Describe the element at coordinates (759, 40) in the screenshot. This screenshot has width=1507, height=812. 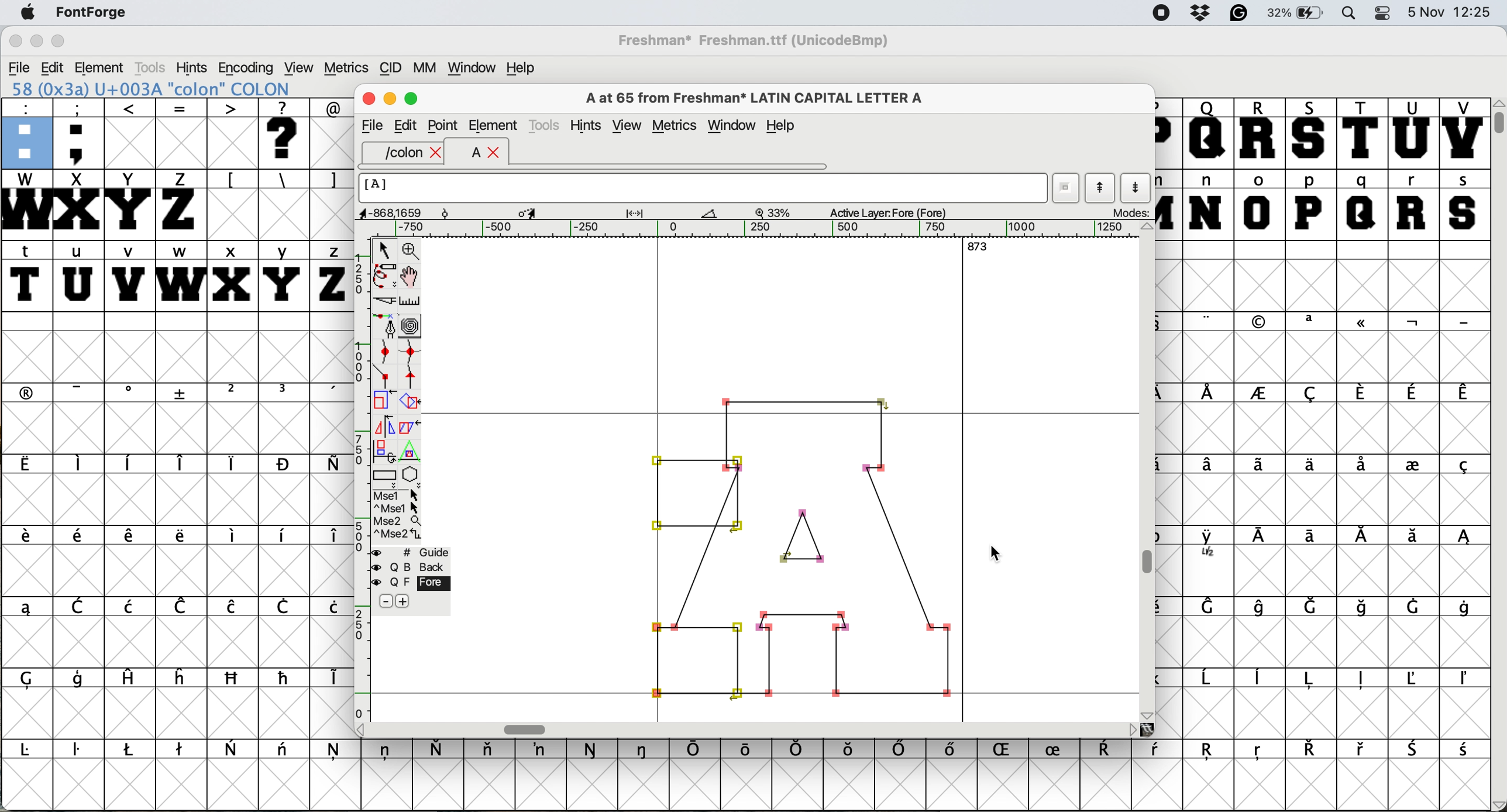
I see `Freshman* Freshman.ttf (UnicodeBmp)` at that location.